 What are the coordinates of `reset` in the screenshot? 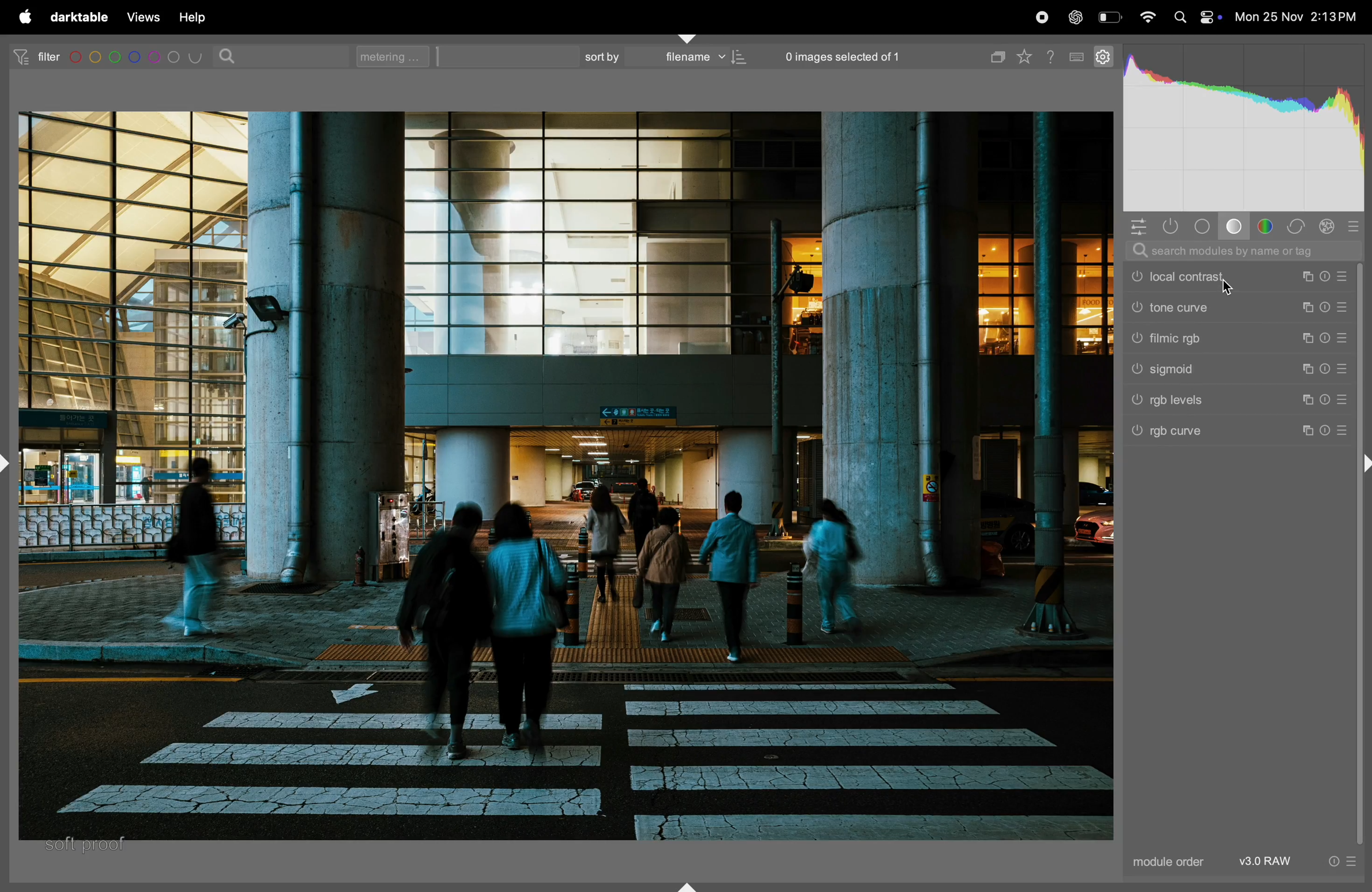 It's located at (1325, 338).